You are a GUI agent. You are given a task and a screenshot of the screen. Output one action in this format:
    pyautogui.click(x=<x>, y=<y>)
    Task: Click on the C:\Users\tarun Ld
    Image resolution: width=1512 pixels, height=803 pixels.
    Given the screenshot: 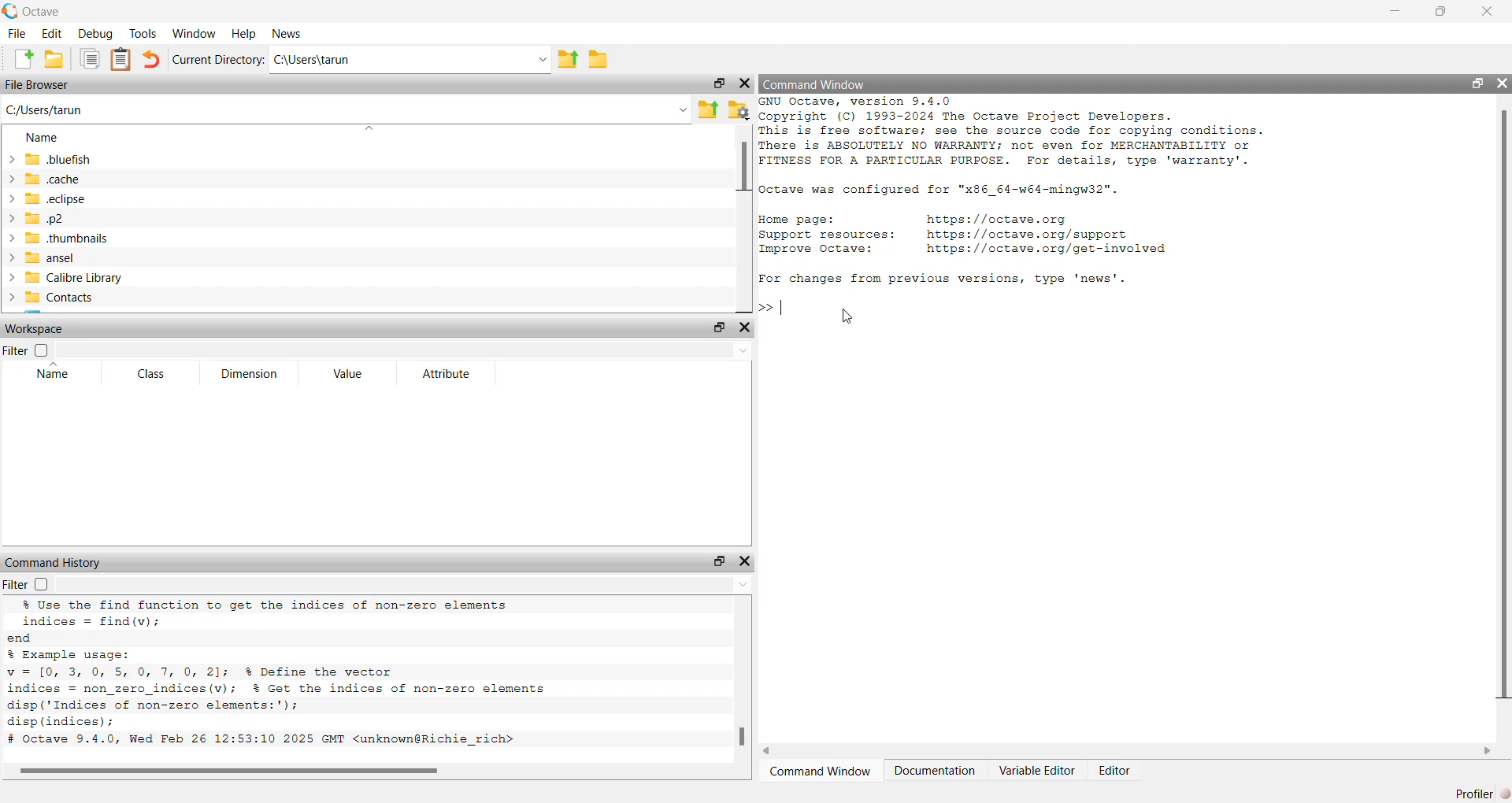 What is the action you would take?
    pyautogui.click(x=413, y=61)
    